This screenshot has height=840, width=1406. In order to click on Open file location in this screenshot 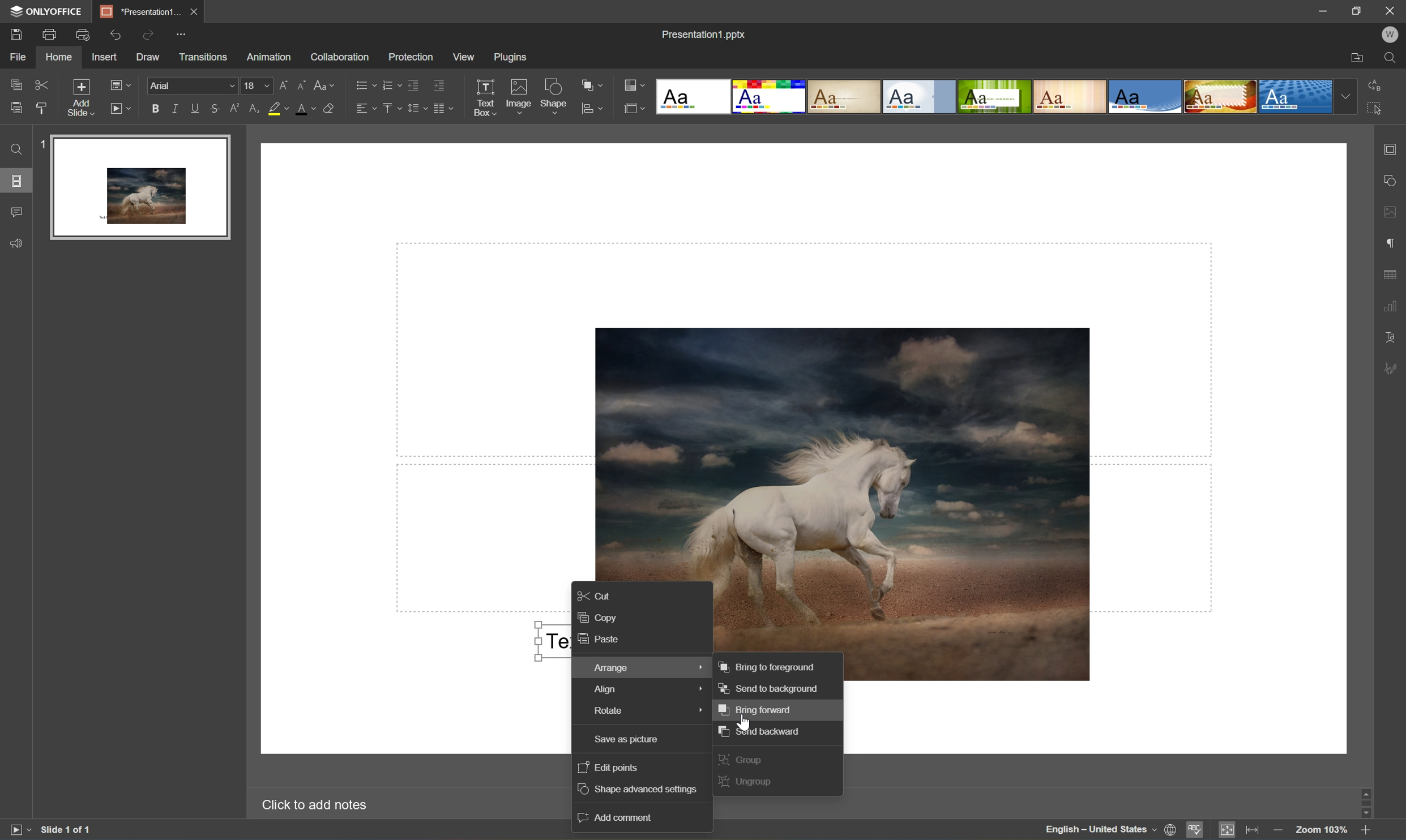, I will do `click(1357, 56)`.